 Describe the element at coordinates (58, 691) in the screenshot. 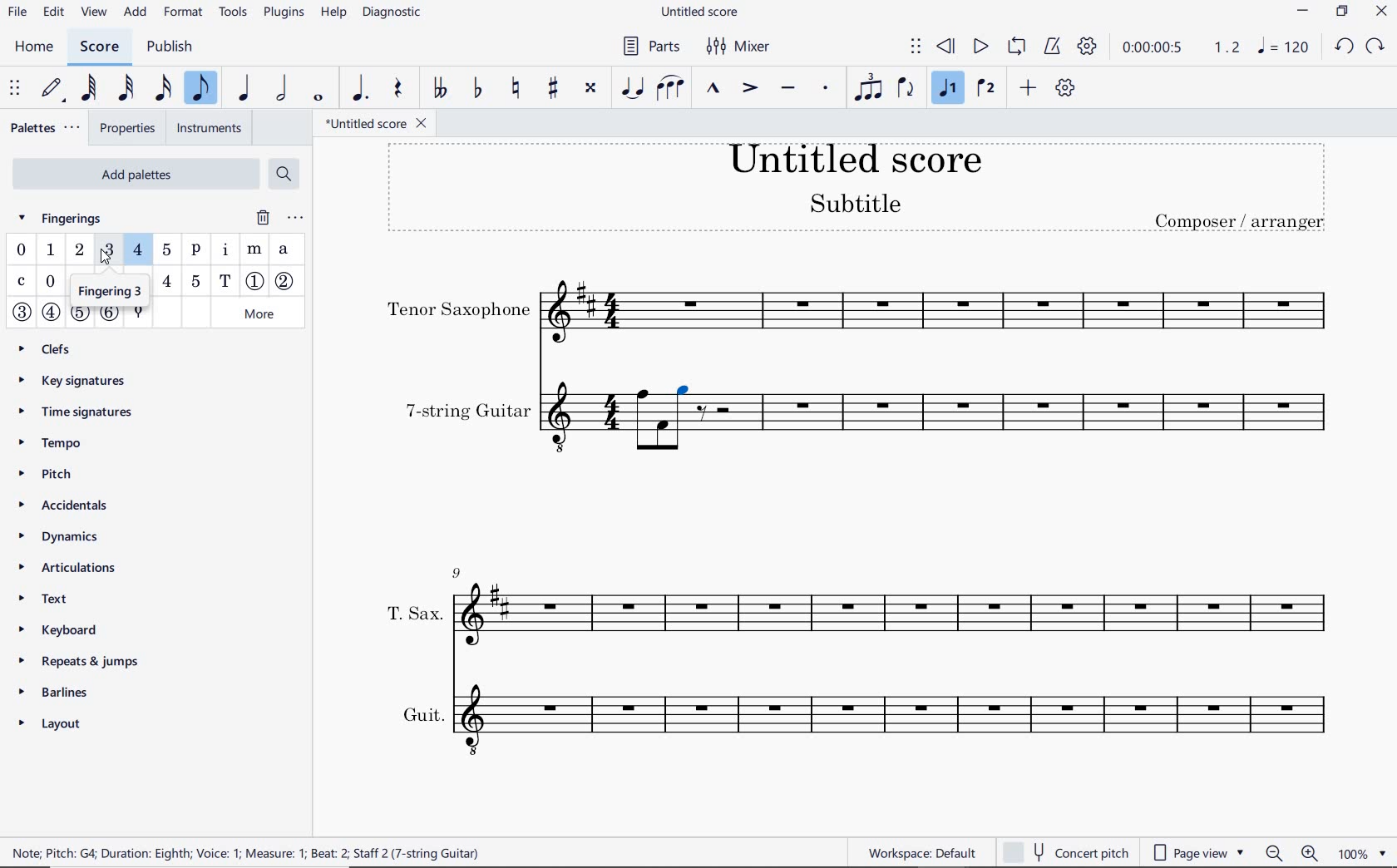

I see `BARLINES` at that location.